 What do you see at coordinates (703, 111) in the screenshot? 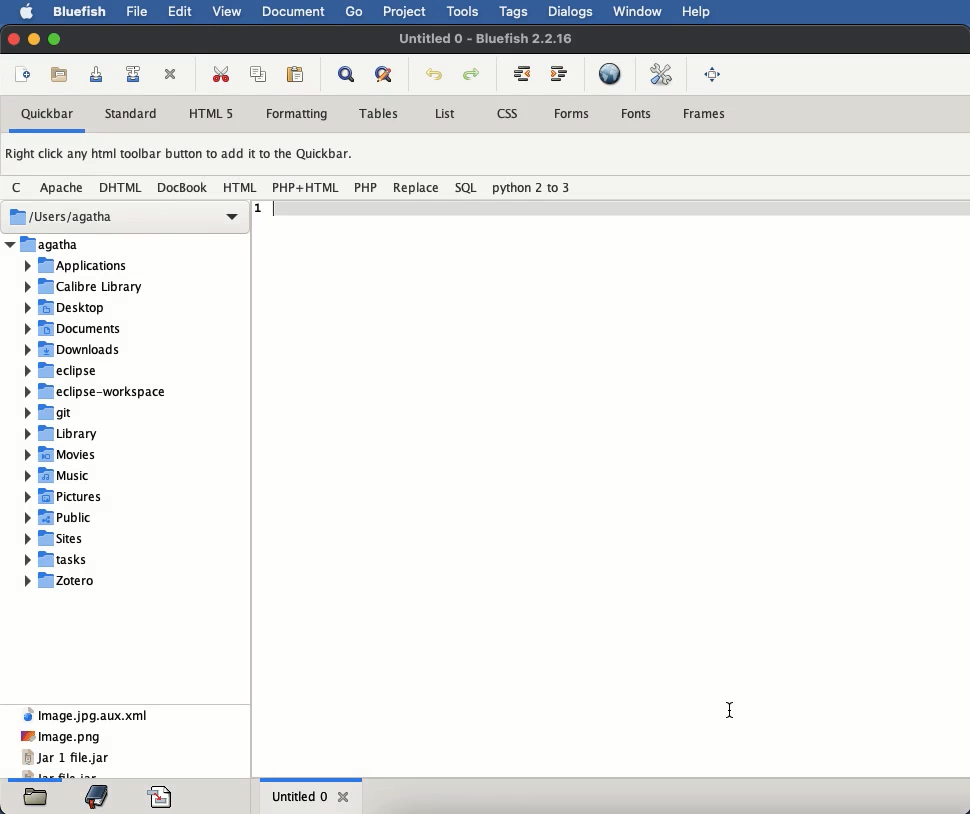
I see `frames` at bounding box center [703, 111].